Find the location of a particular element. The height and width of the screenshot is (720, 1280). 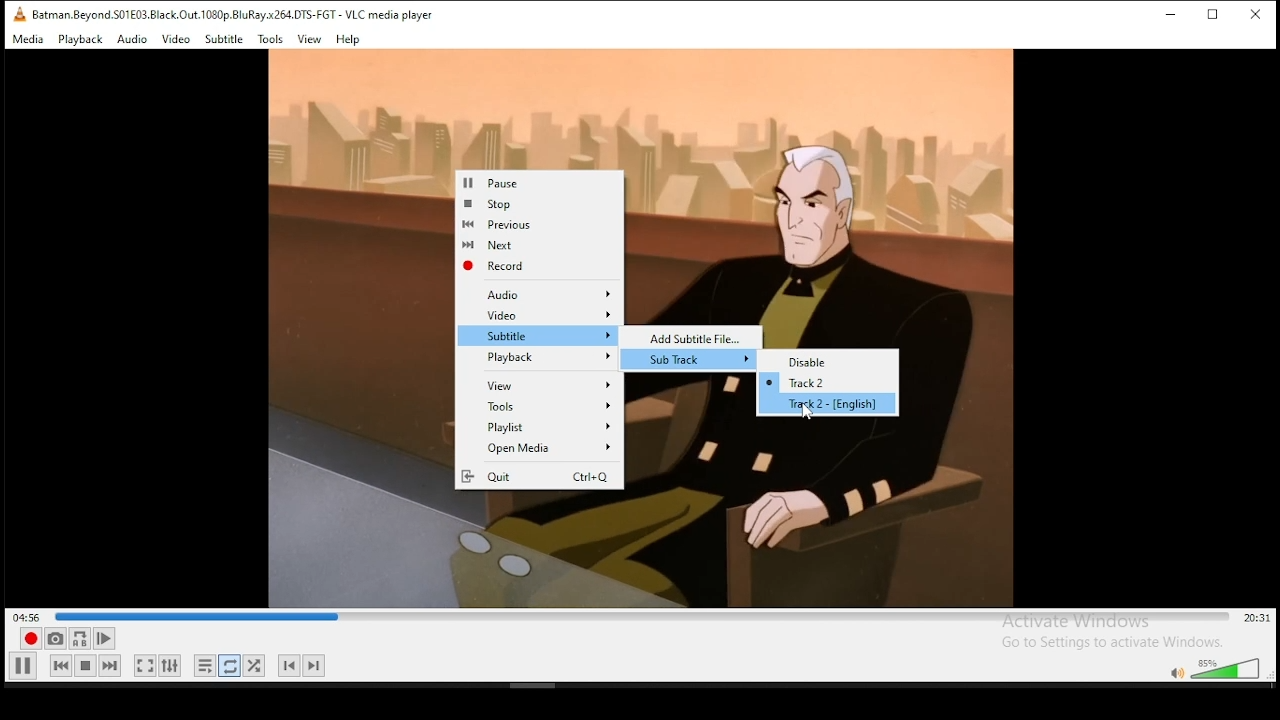

settings is located at coordinates (175, 665).